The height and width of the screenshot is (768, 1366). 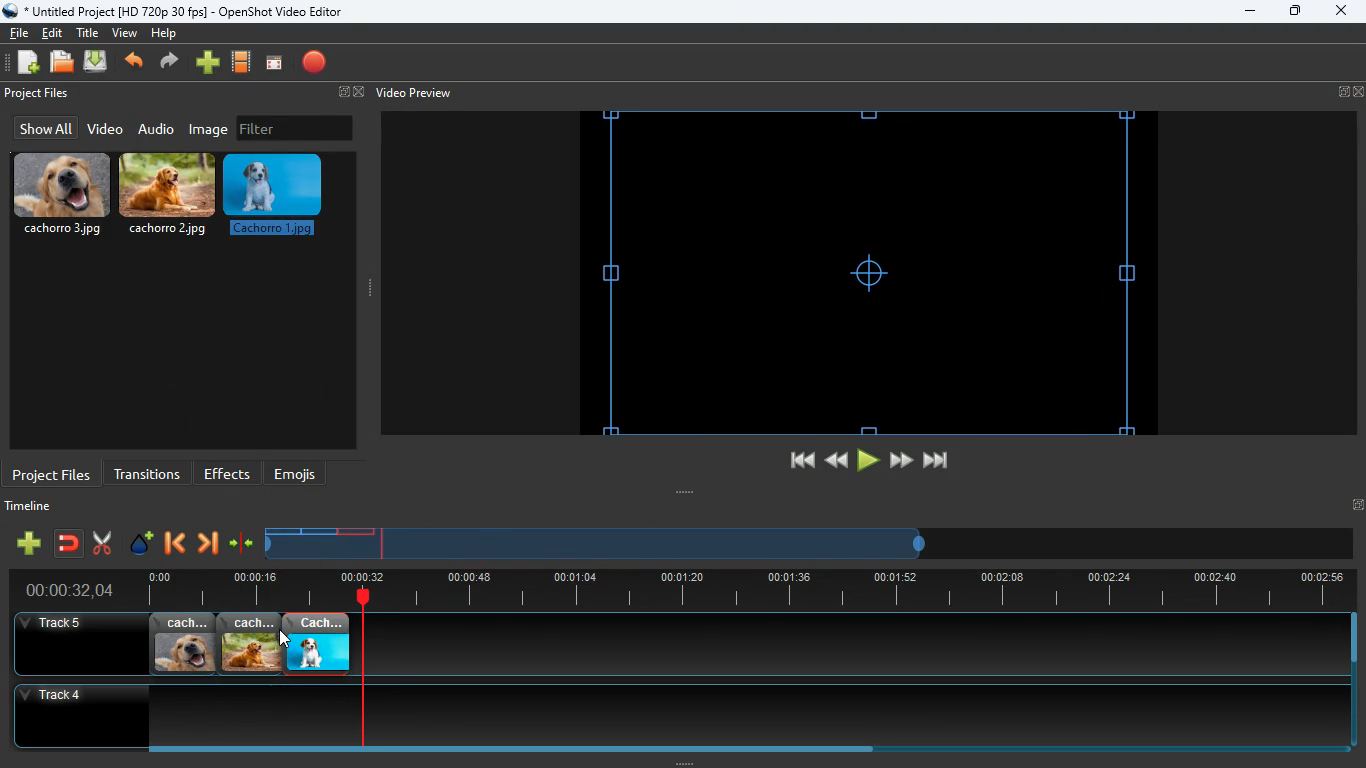 I want to click on show all, so click(x=43, y=128).